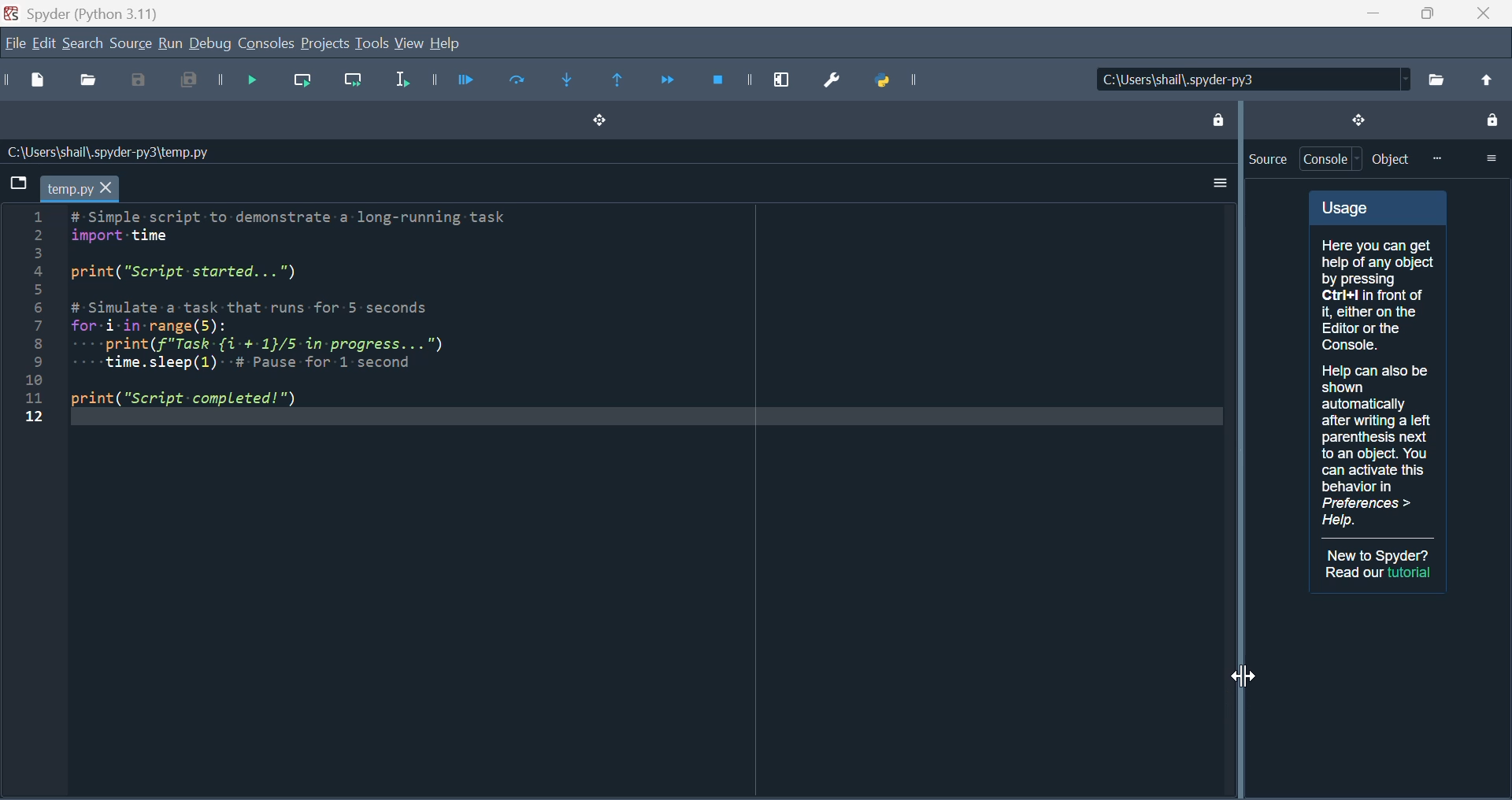  What do you see at coordinates (308, 310) in the screenshot?
I see `Python code` at bounding box center [308, 310].